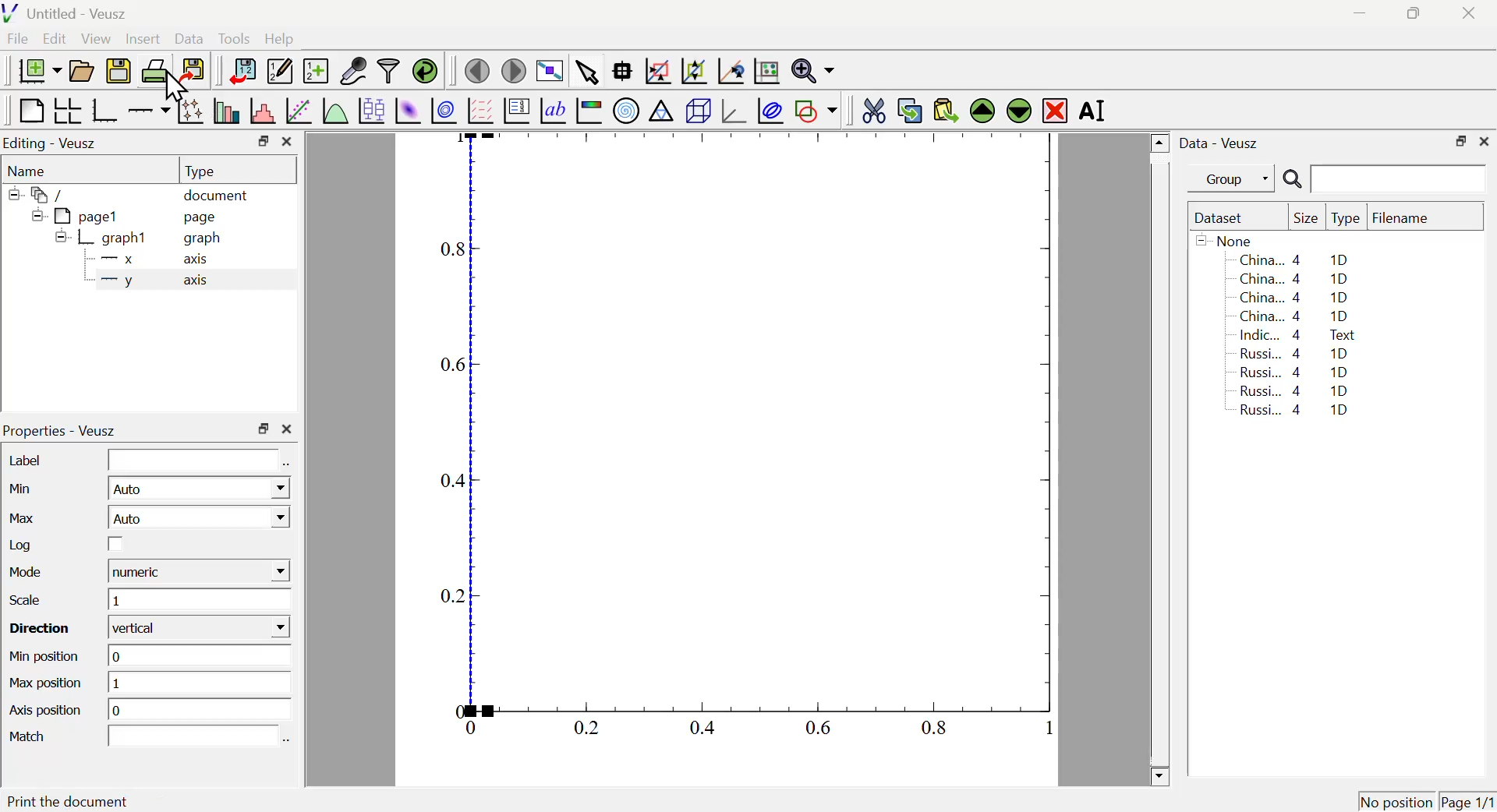 The image size is (1497, 812). Describe the element at coordinates (39, 71) in the screenshot. I see `New Document` at that location.